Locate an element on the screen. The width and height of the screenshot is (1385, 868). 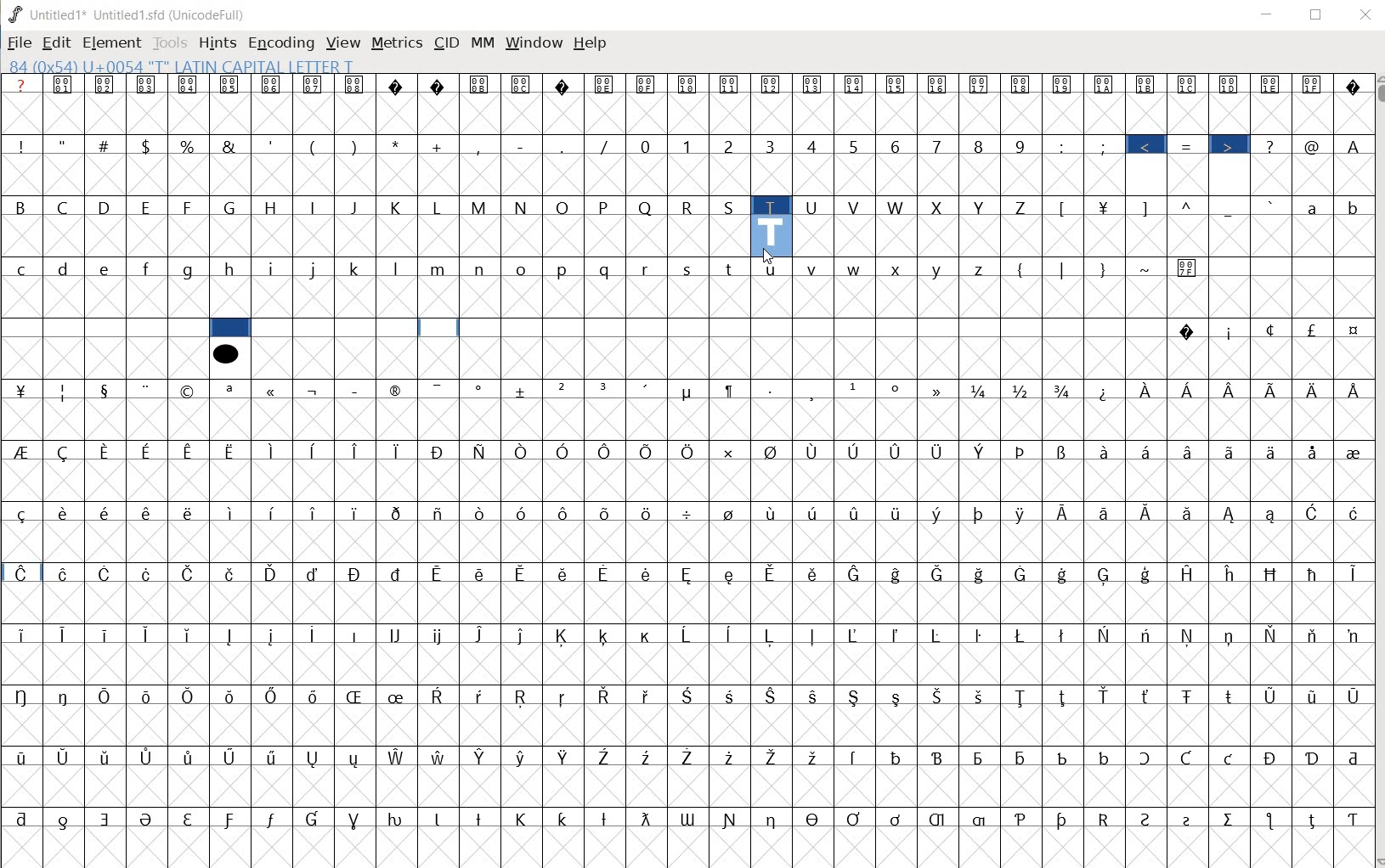
K is located at coordinates (399, 206).